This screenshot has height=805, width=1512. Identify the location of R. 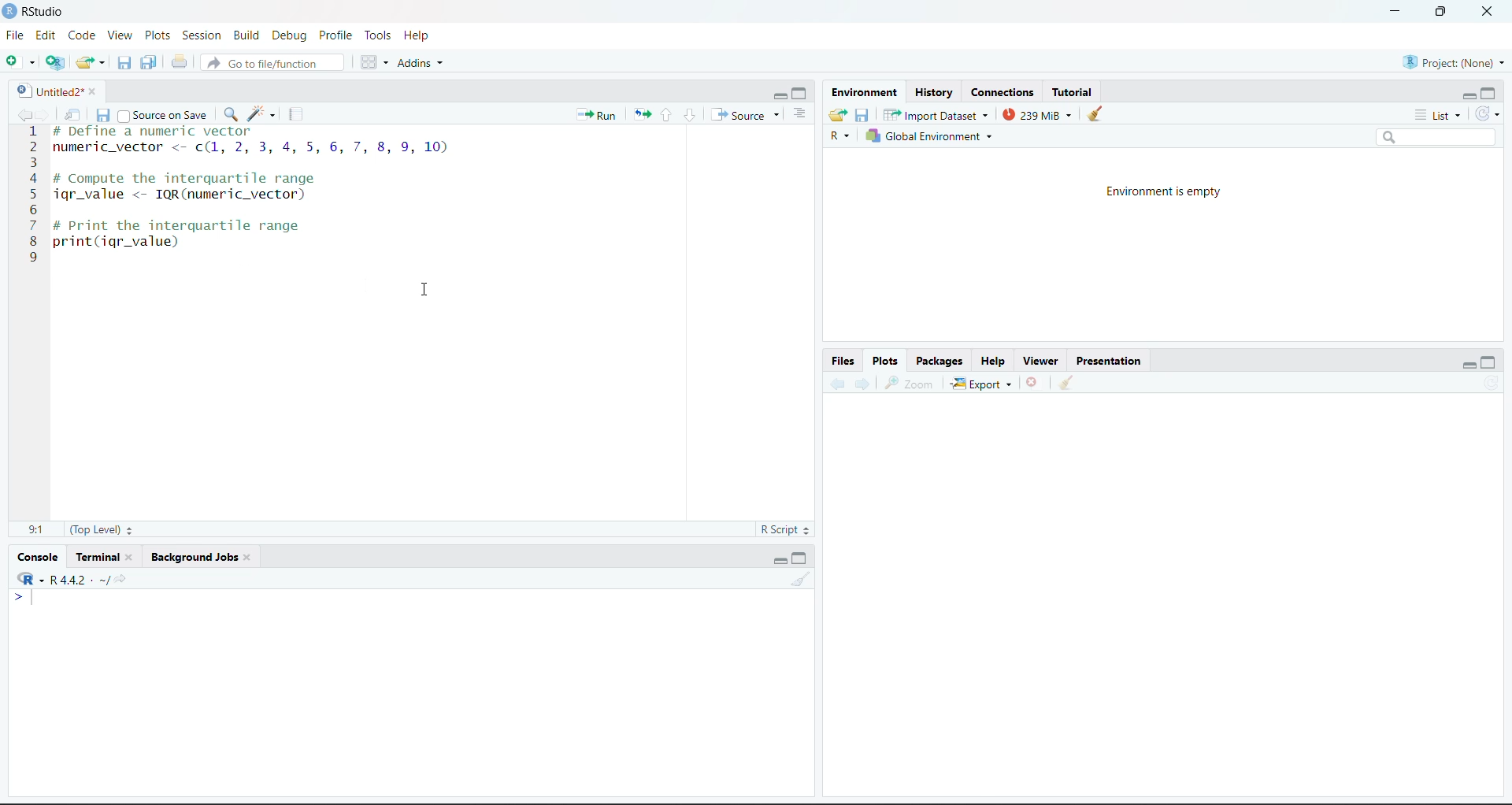
(839, 139).